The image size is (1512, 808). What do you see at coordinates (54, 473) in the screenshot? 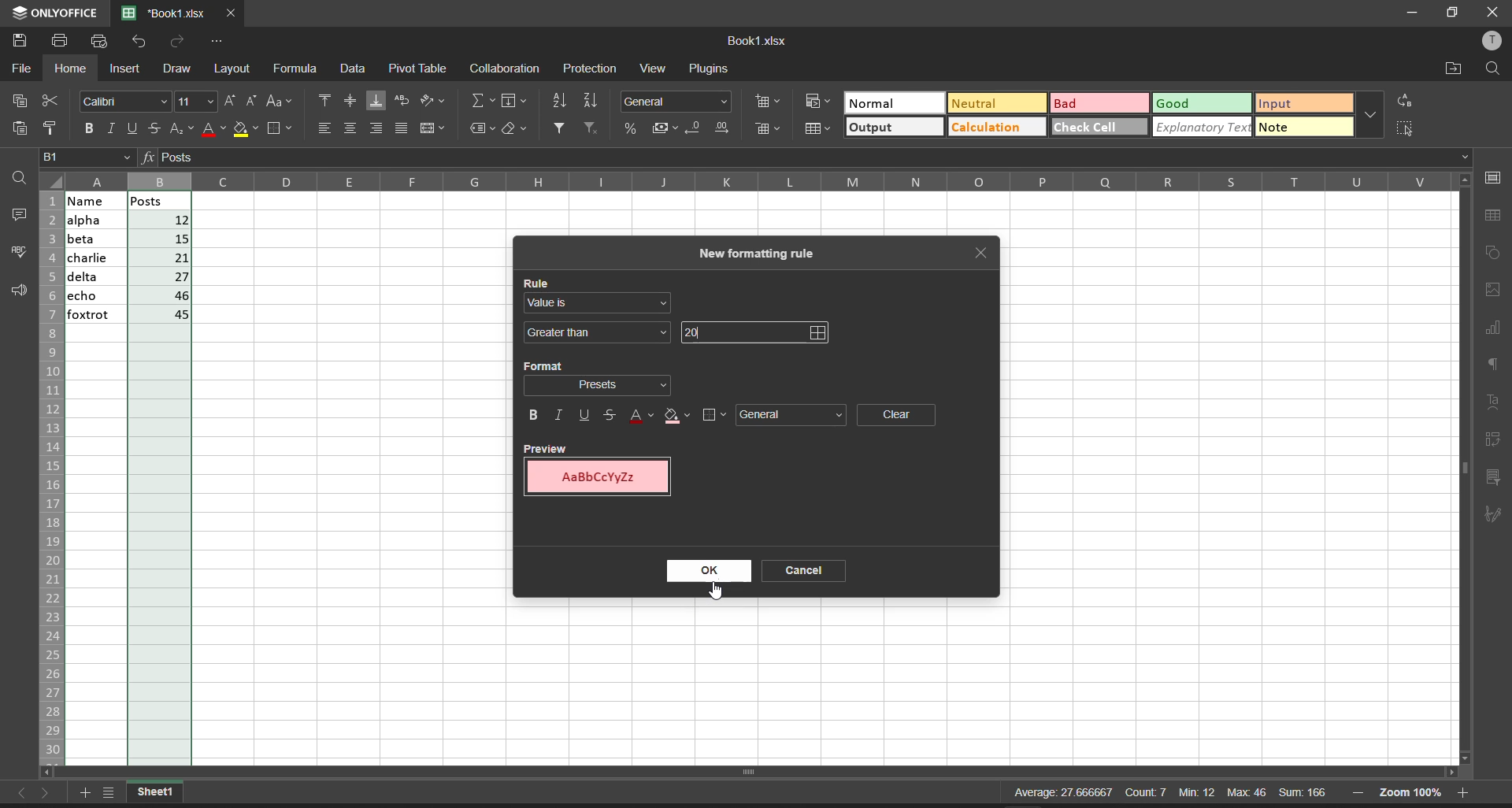
I see `row name` at bounding box center [54, 473].